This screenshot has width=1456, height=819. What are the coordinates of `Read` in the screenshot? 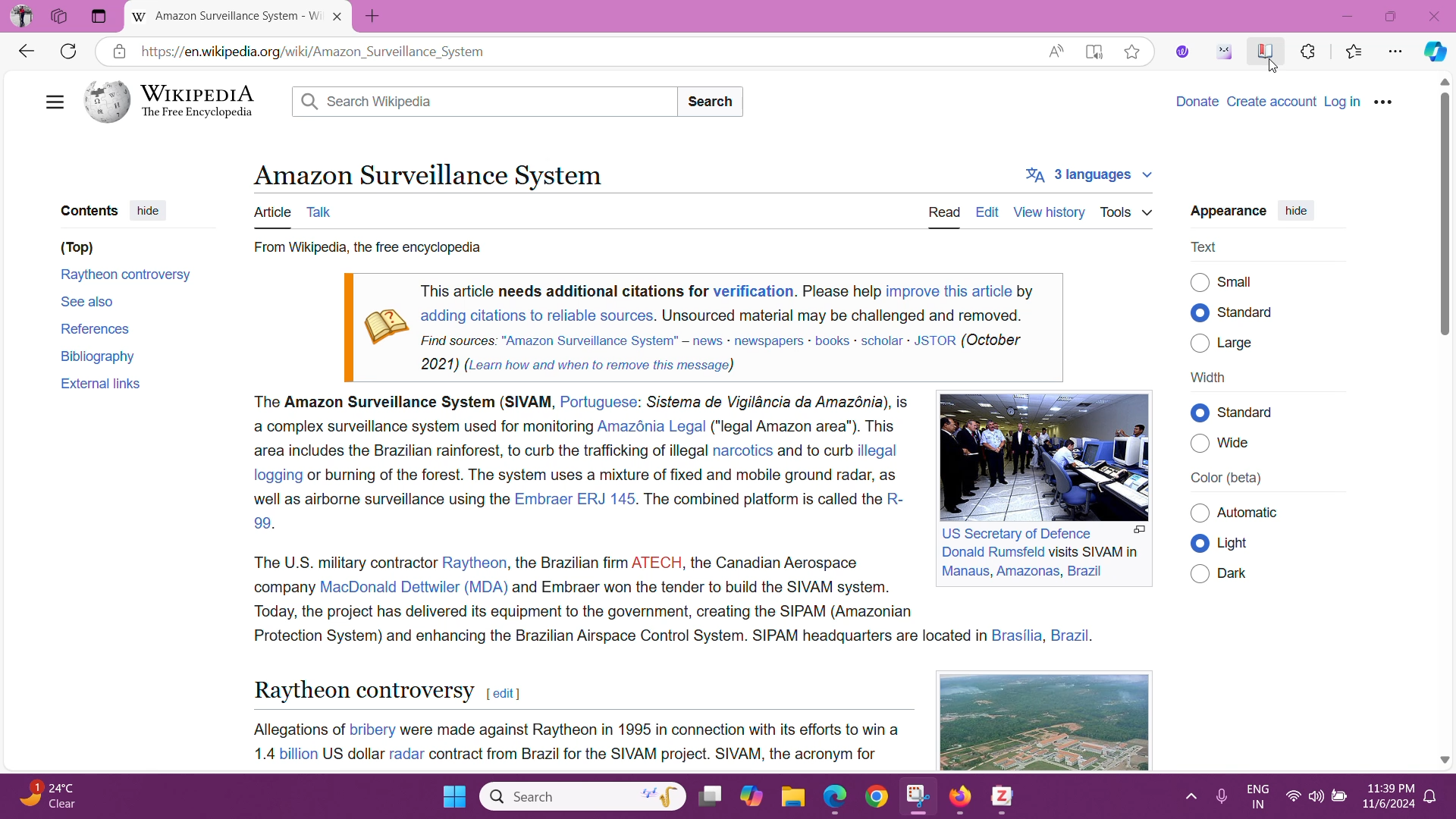 It's located at (946, 212).